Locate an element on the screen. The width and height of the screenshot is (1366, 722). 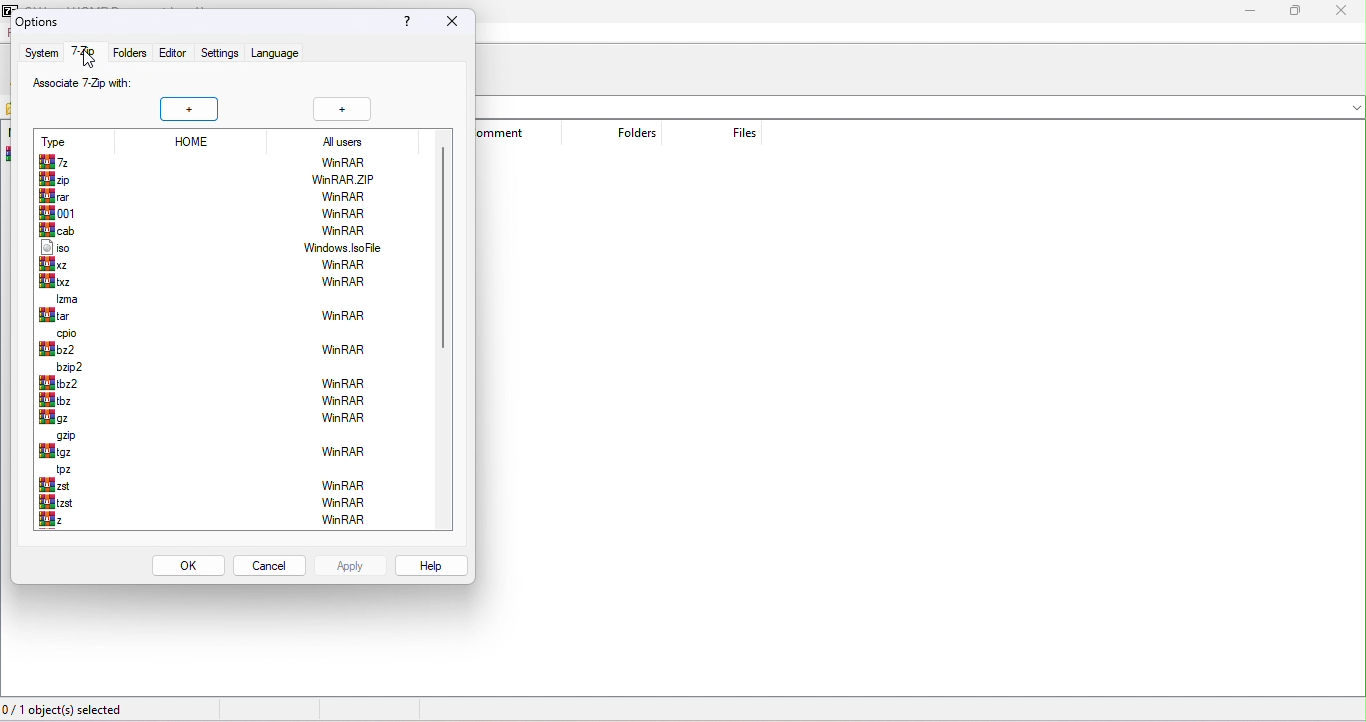
options is located at coordinates (40, 22).